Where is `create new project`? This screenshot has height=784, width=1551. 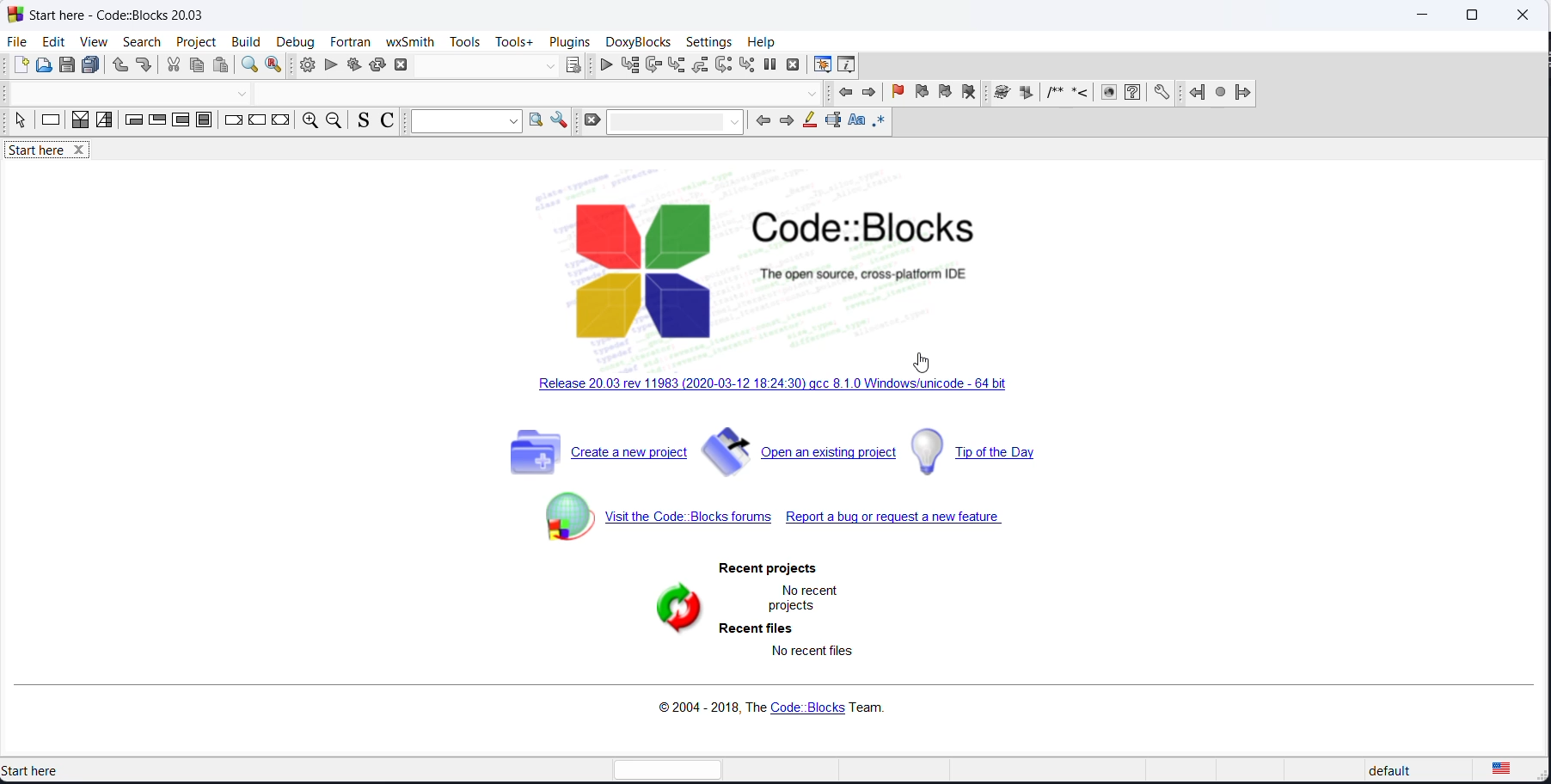
create new project is located at coordinates (591, 455).